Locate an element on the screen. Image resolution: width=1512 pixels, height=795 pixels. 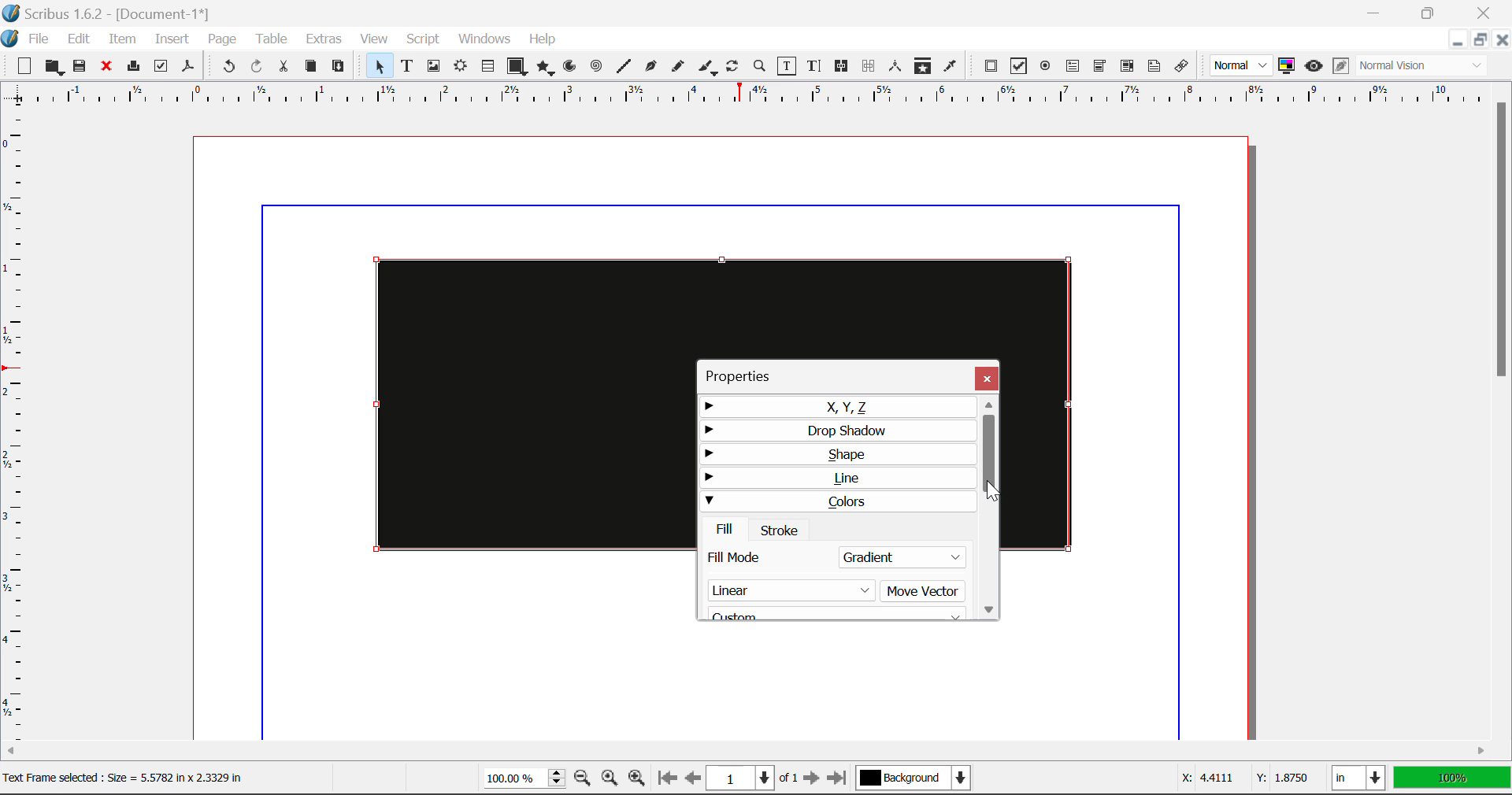
PDF Radio Button is located at coordinates (1045, 68).